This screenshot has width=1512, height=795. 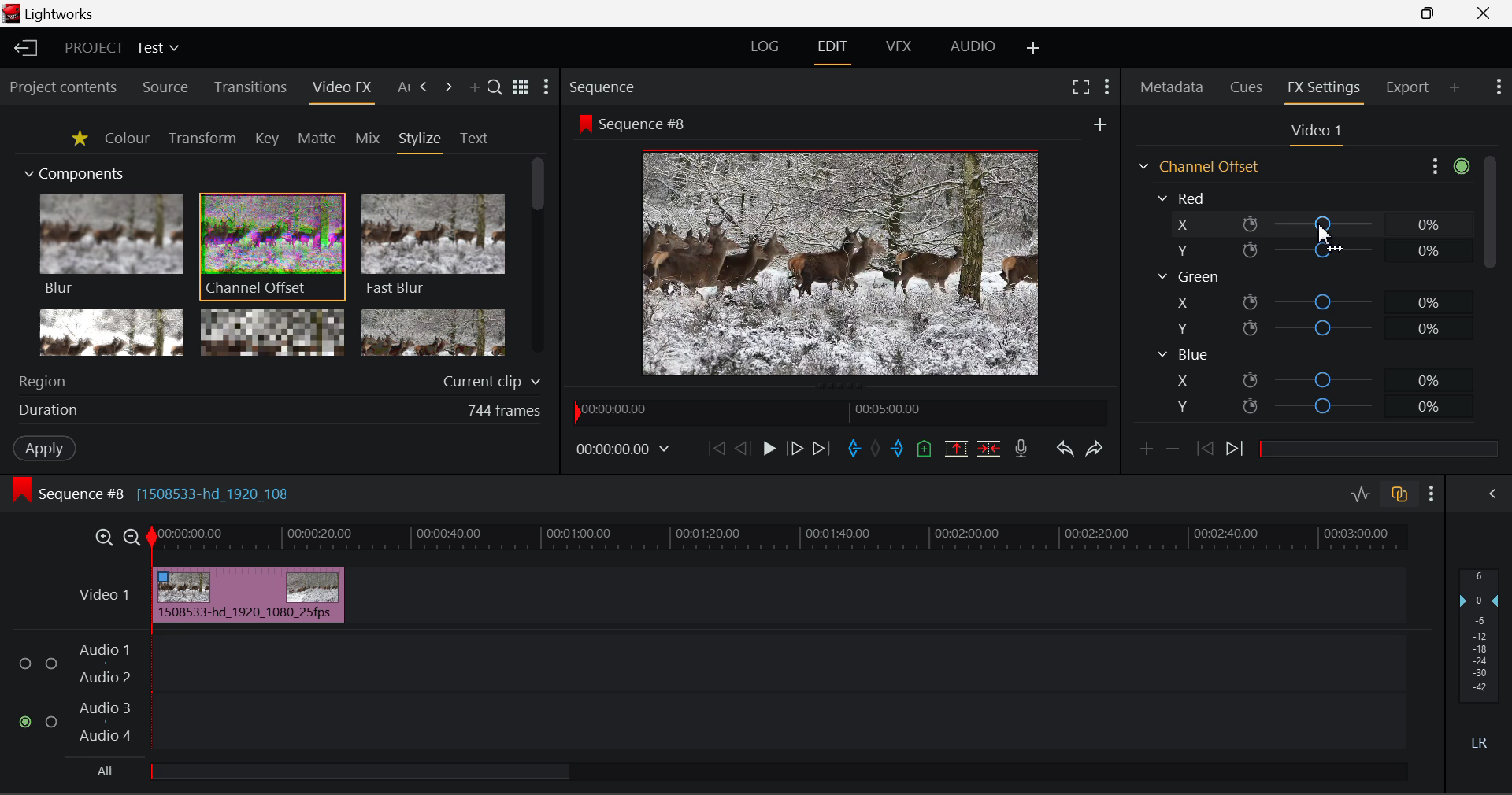 I want to click on Show Settings, so click(x=548, y=87).